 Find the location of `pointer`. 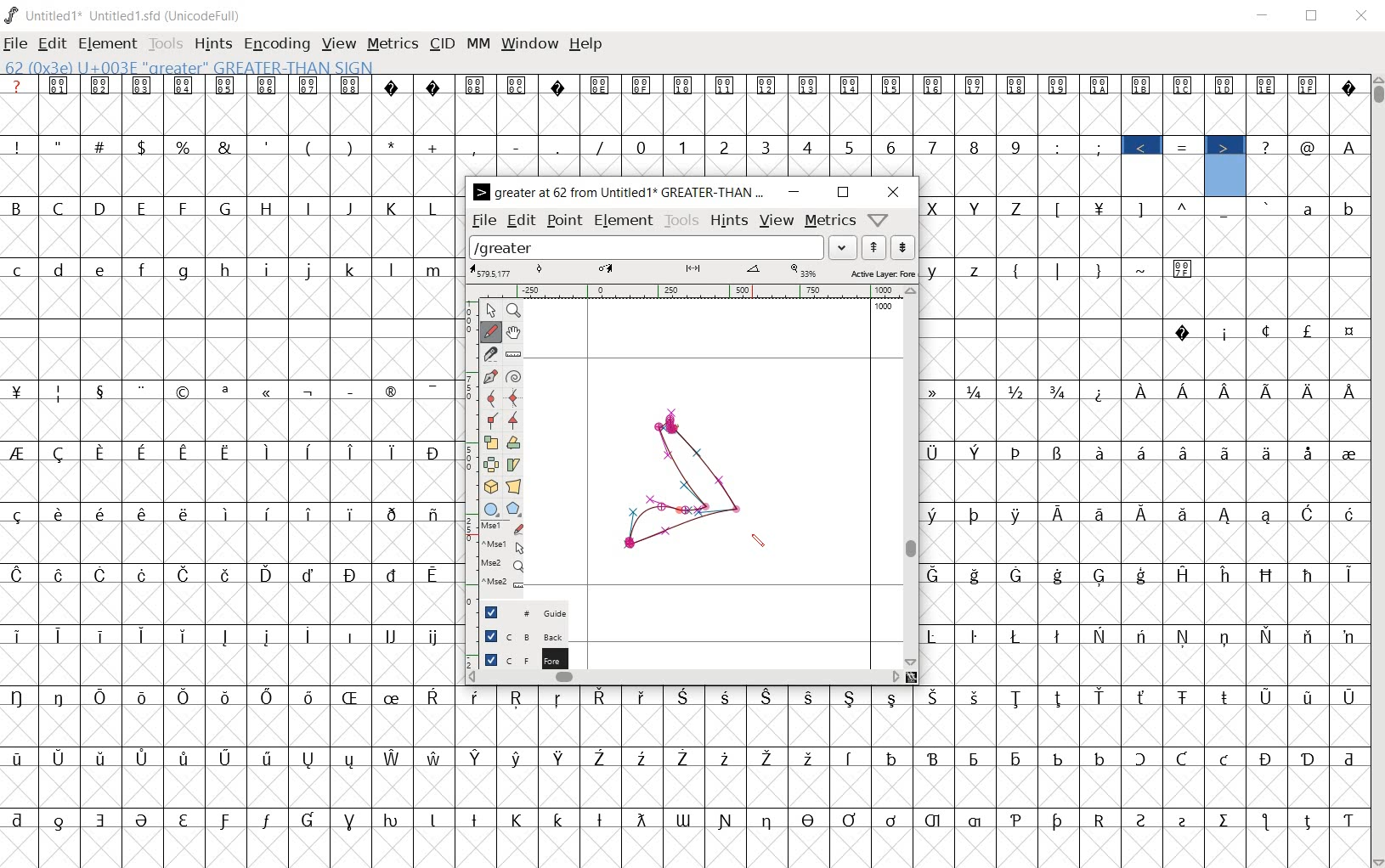

pointer is located at coordinates (490, 311).